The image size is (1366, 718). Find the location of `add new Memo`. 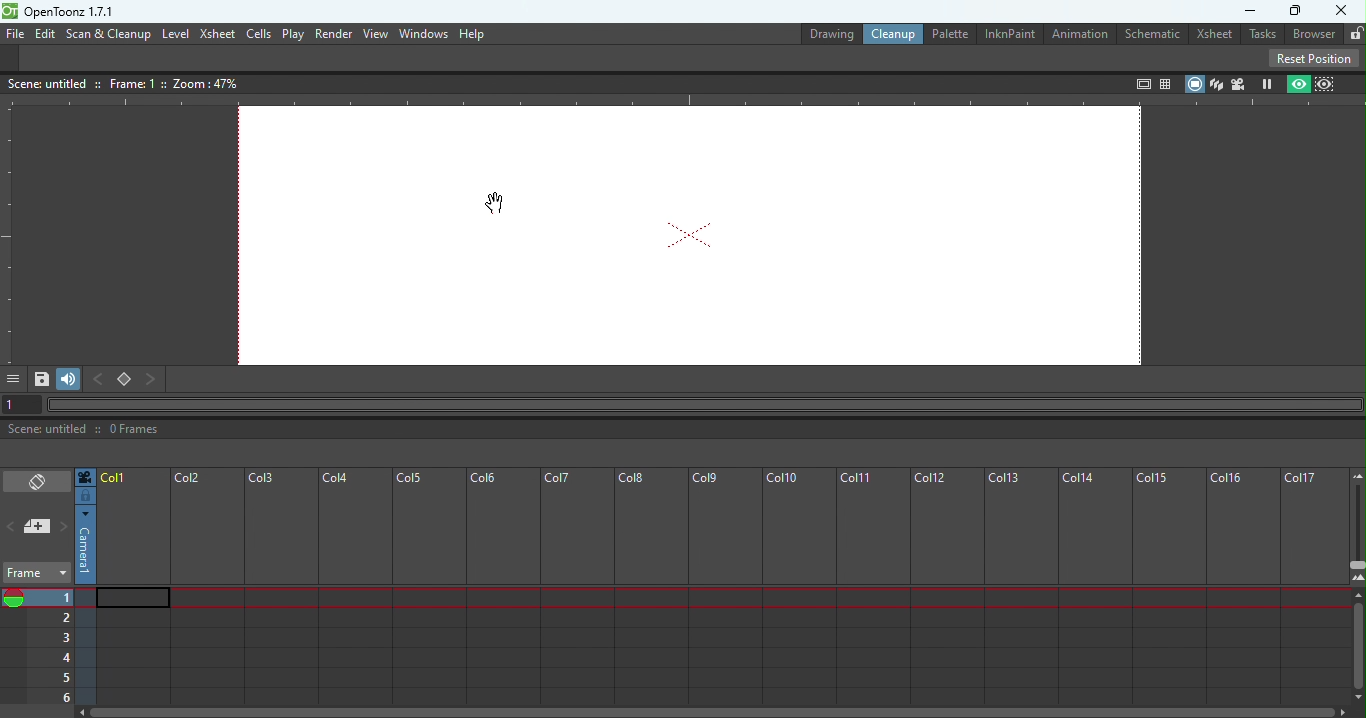

add new Memo is located at coordinates (38, 523).